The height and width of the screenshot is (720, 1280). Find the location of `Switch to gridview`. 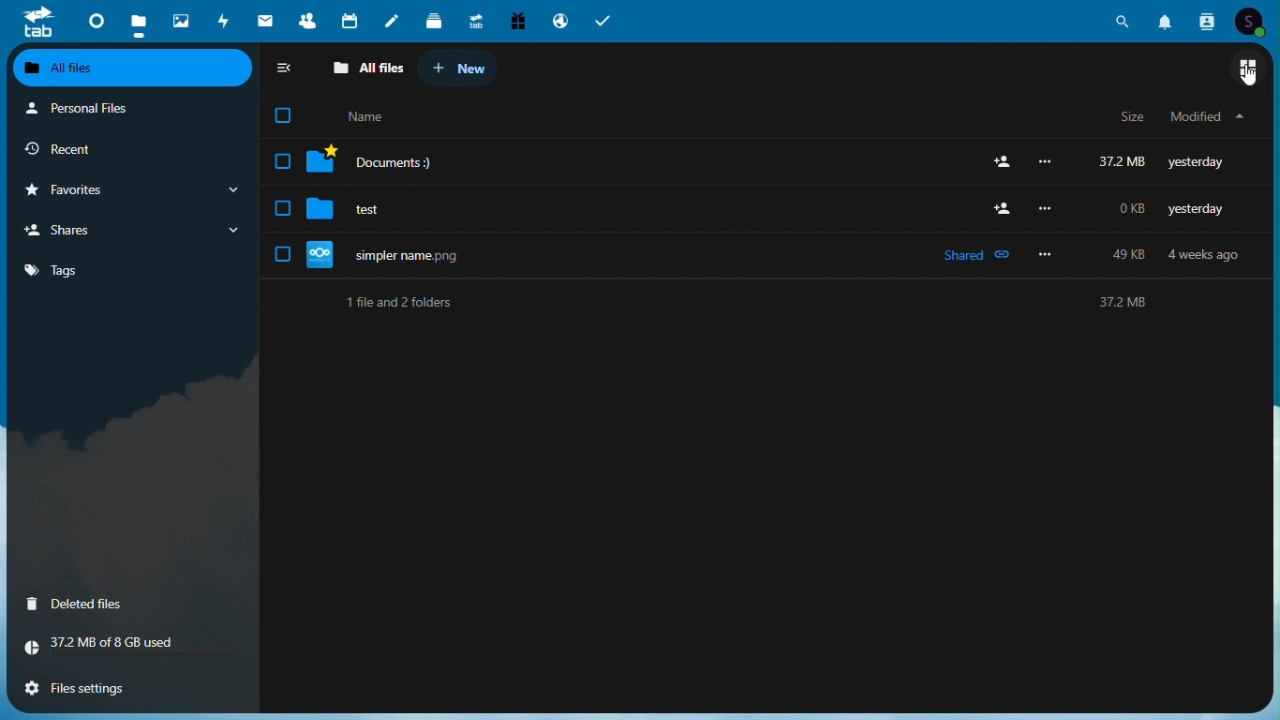

Switch to gridview is located at coordinates (1249, 72).